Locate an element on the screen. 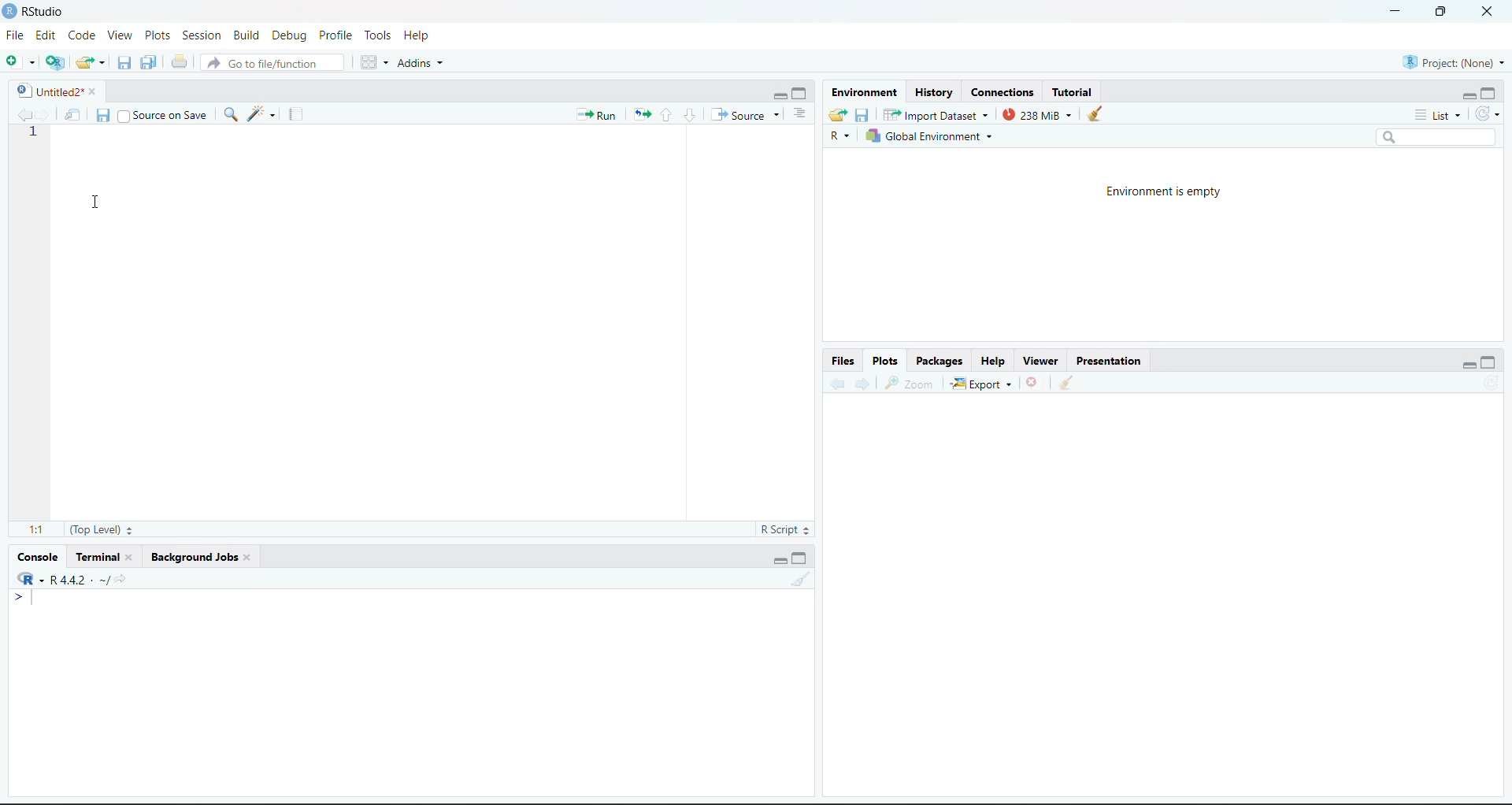 The image size is (1512, 805). Addins is located at coordinates (419, 63).